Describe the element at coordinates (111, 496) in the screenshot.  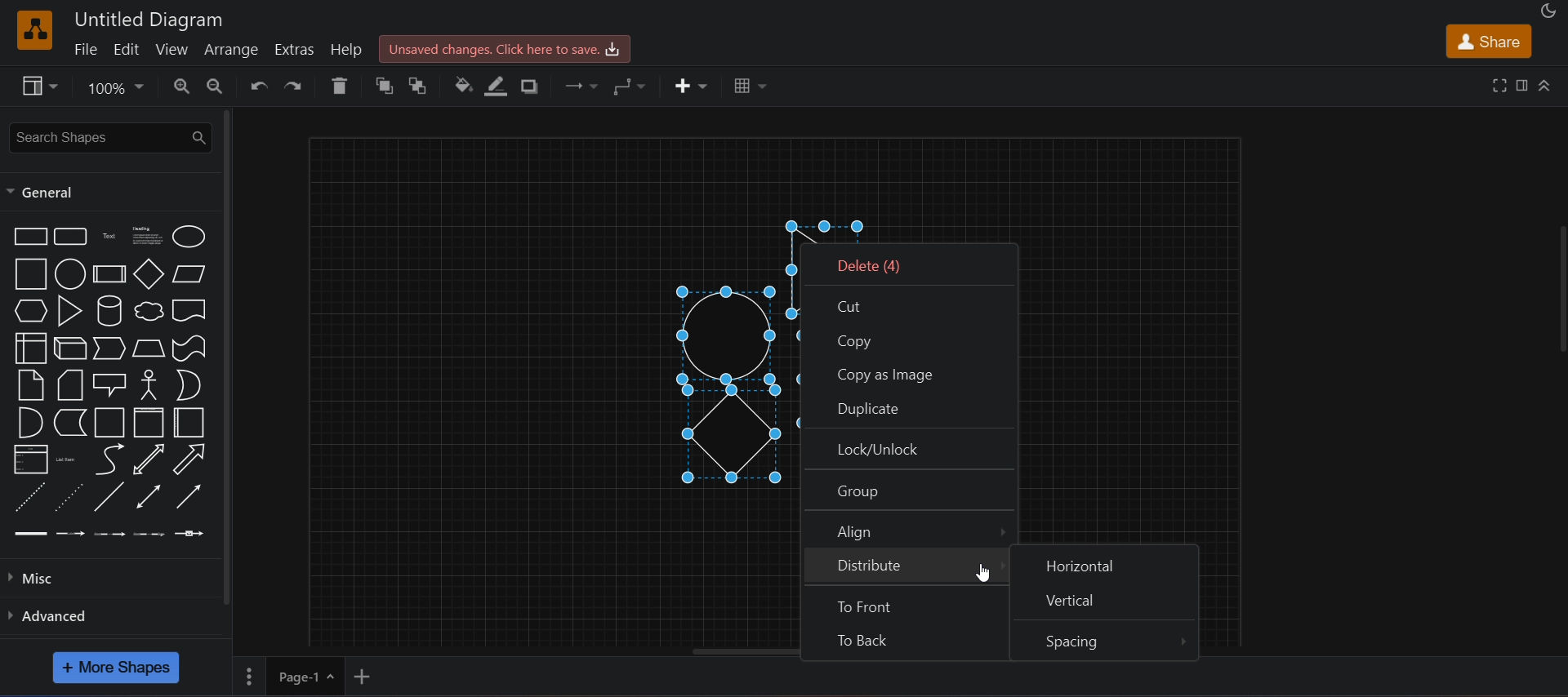
I see `line` at that location.